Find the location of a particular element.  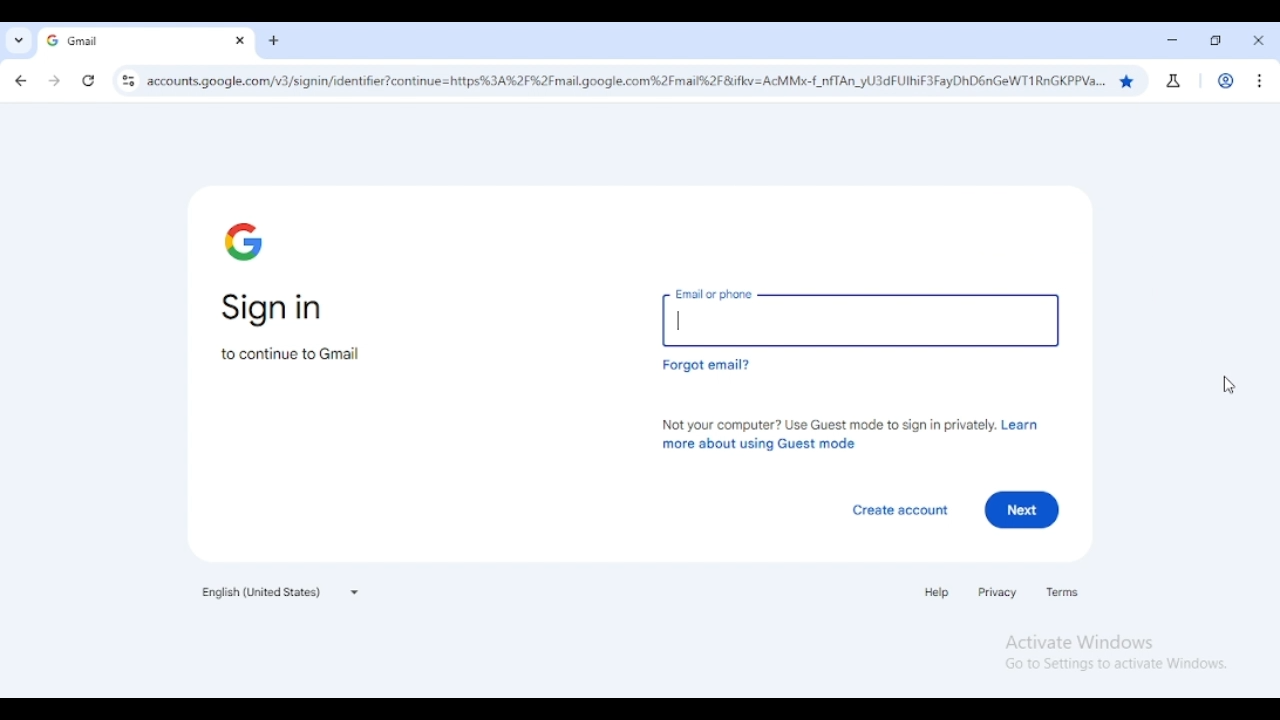

click to go forward is located at coordinates (54, 82).